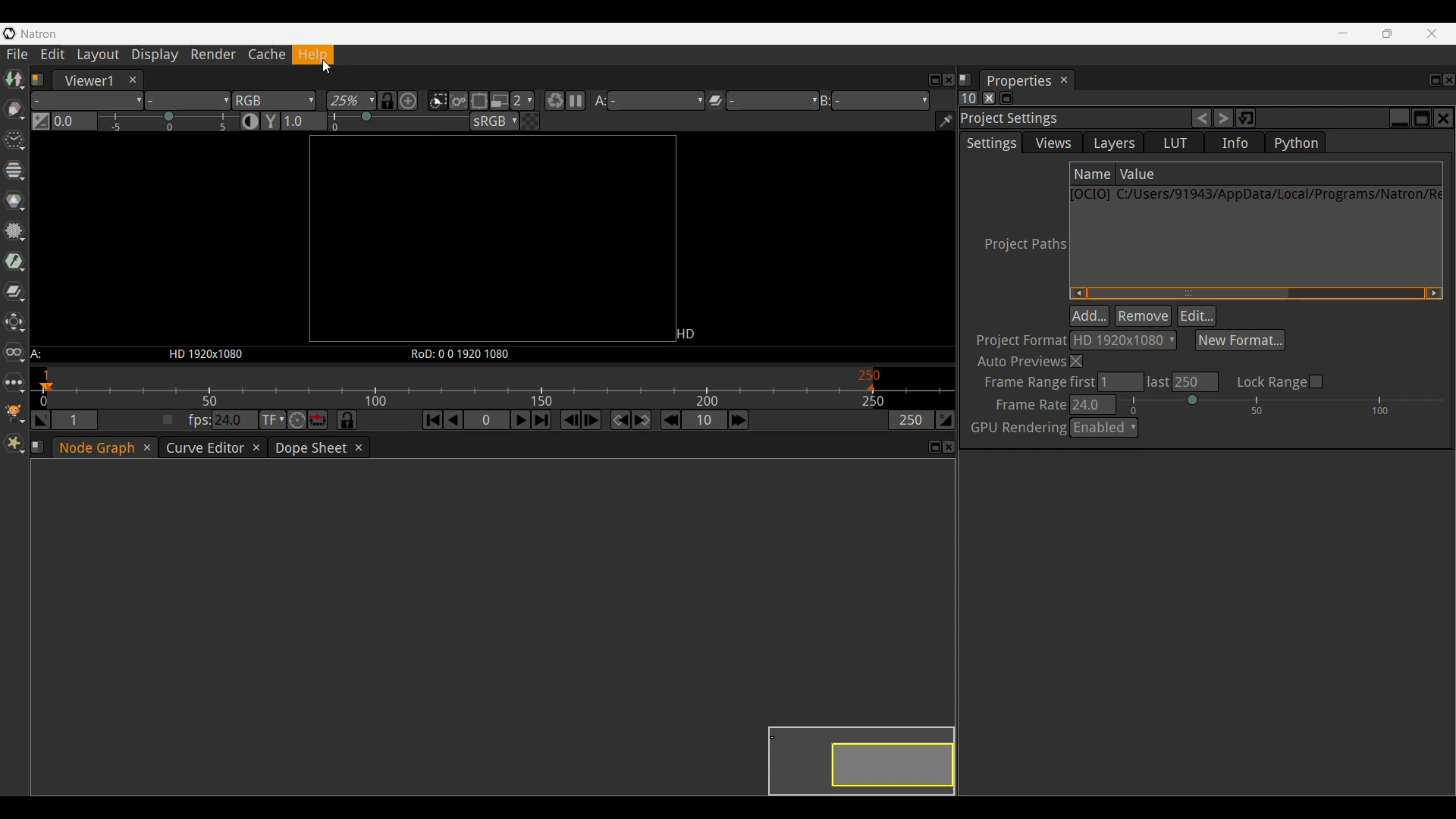 The height and width of the screenshot is (819, 1456). Describe the element at coordinates (1224, 118) in the screenshot. I see `Redo` at that location.